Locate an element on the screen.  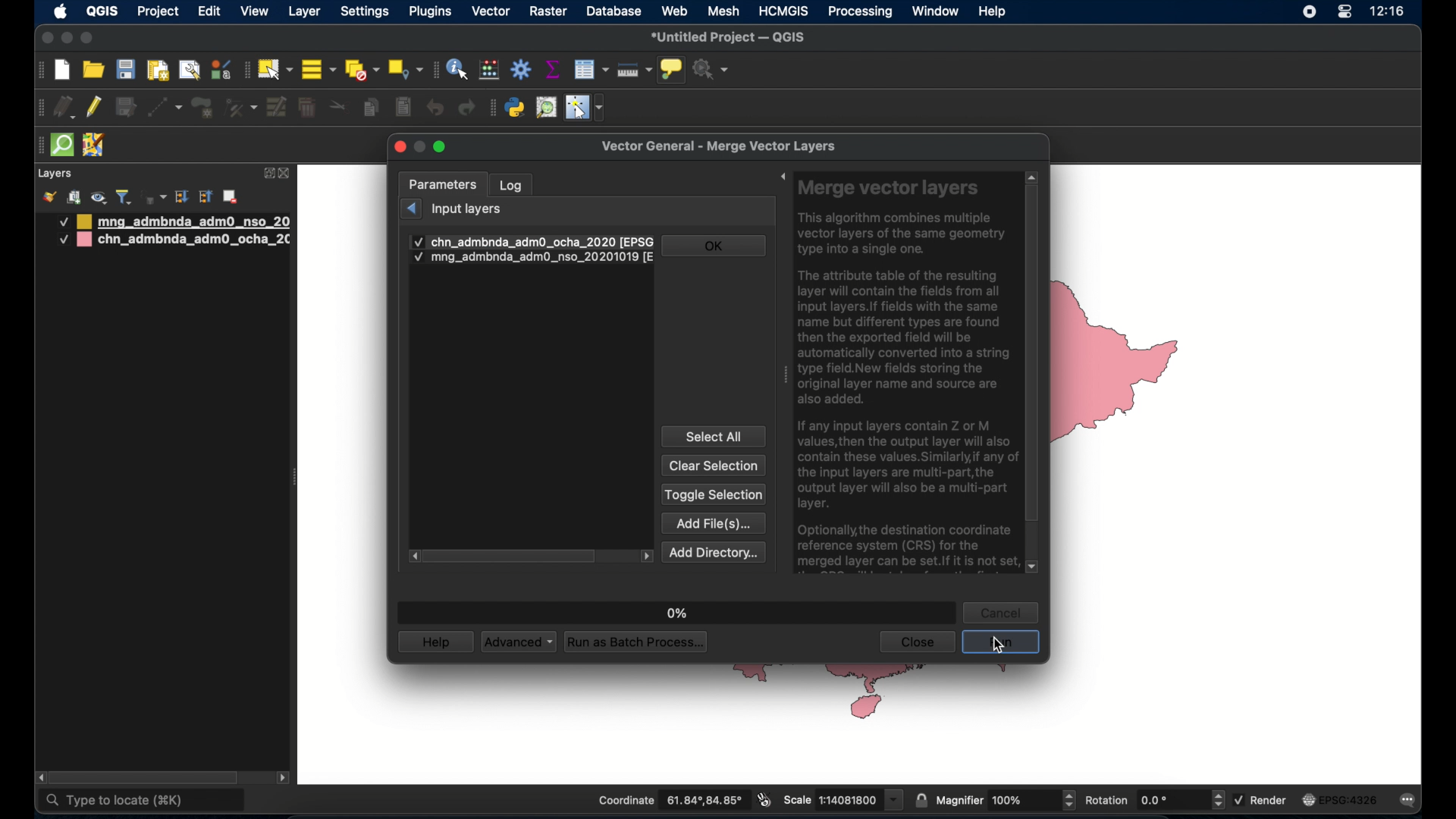
apple icon is located at coordinates (61, 11).